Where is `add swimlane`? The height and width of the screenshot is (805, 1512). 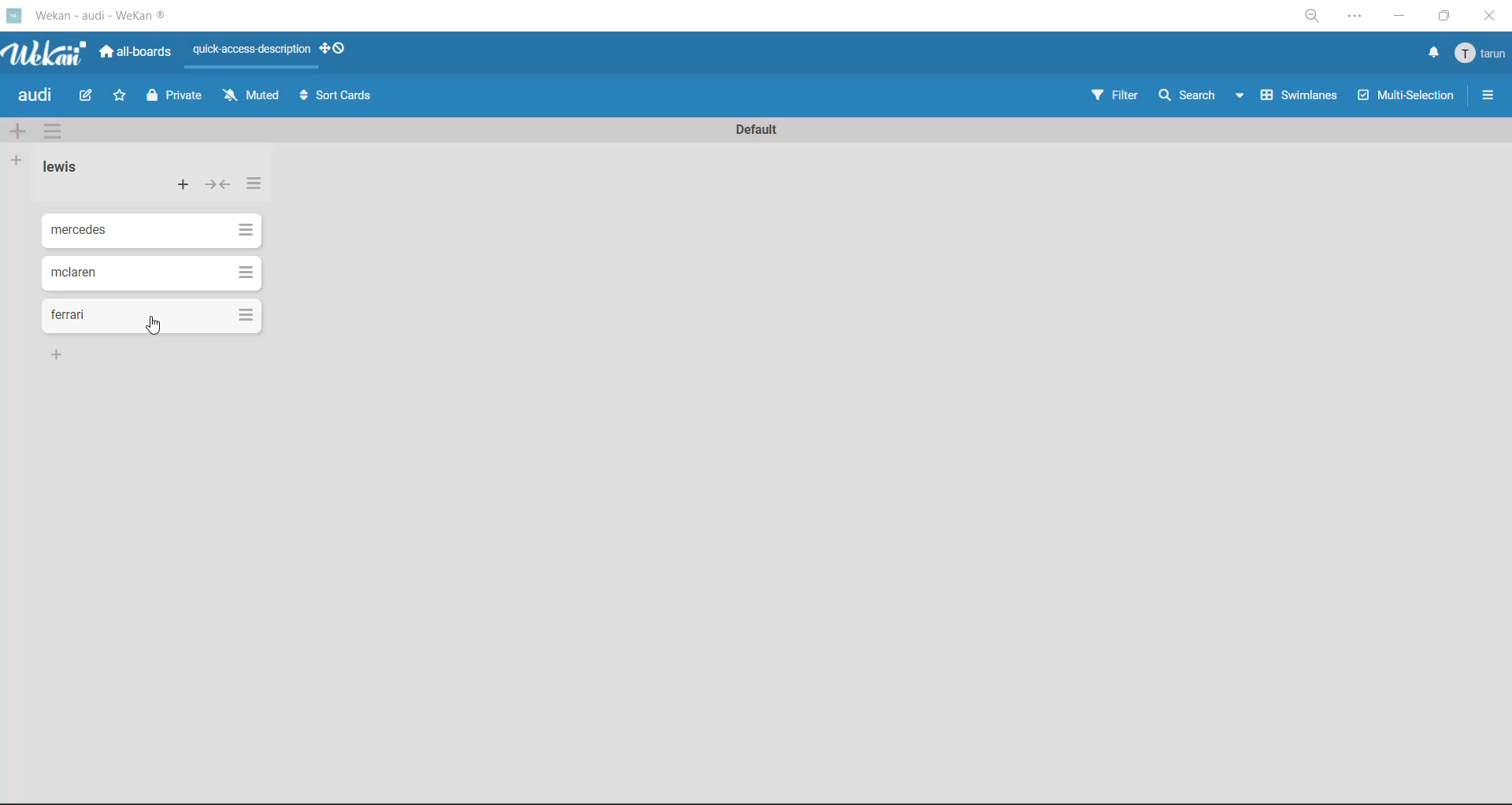 add swimlane is located at coordinates (17, 133).